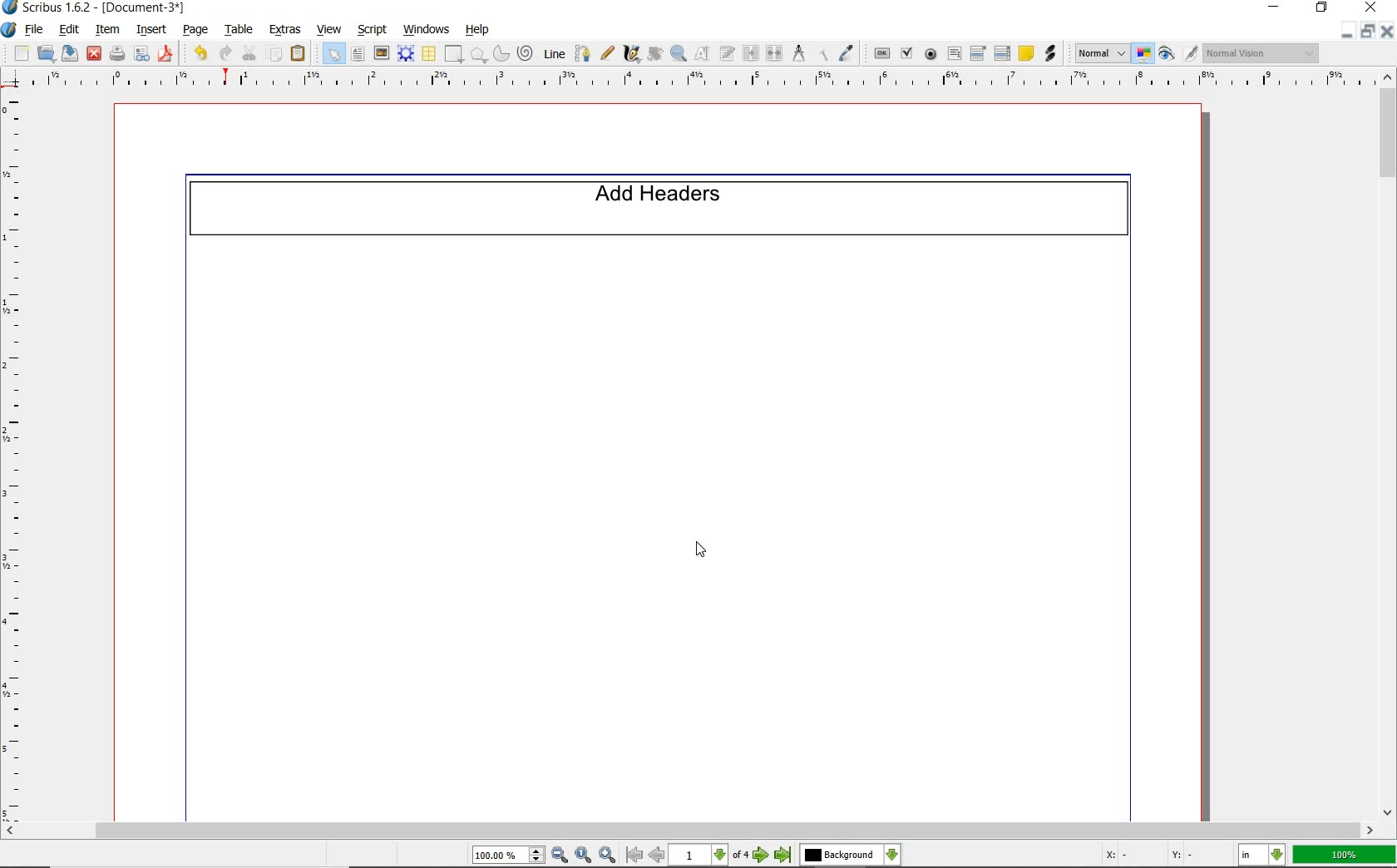  What do you see at coordinates (225, 54) in the screenshot?
I see `redo` at bounding box center [225, 54].